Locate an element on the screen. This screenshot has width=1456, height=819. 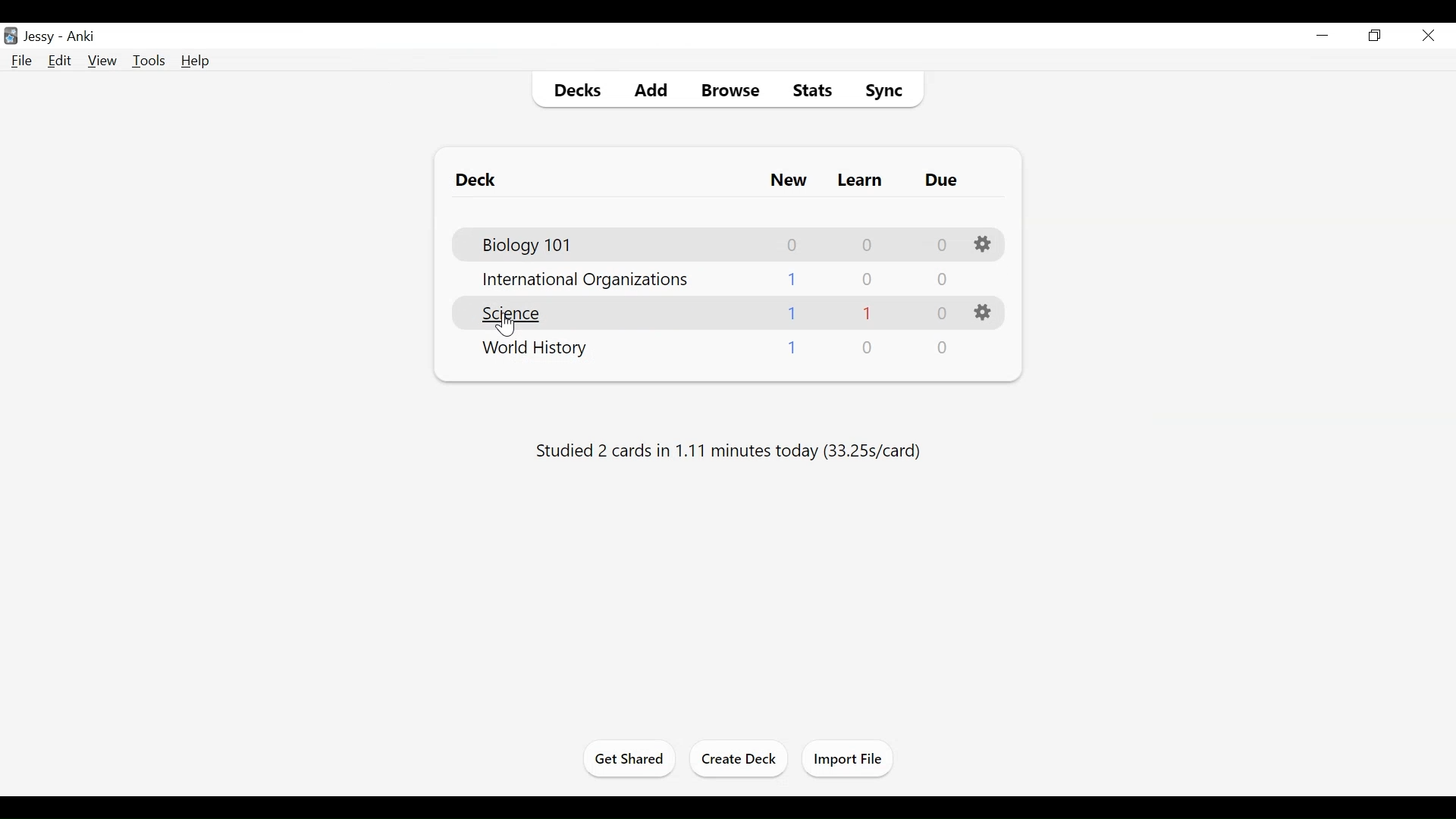
Browse is located at coordinates (733, 91).